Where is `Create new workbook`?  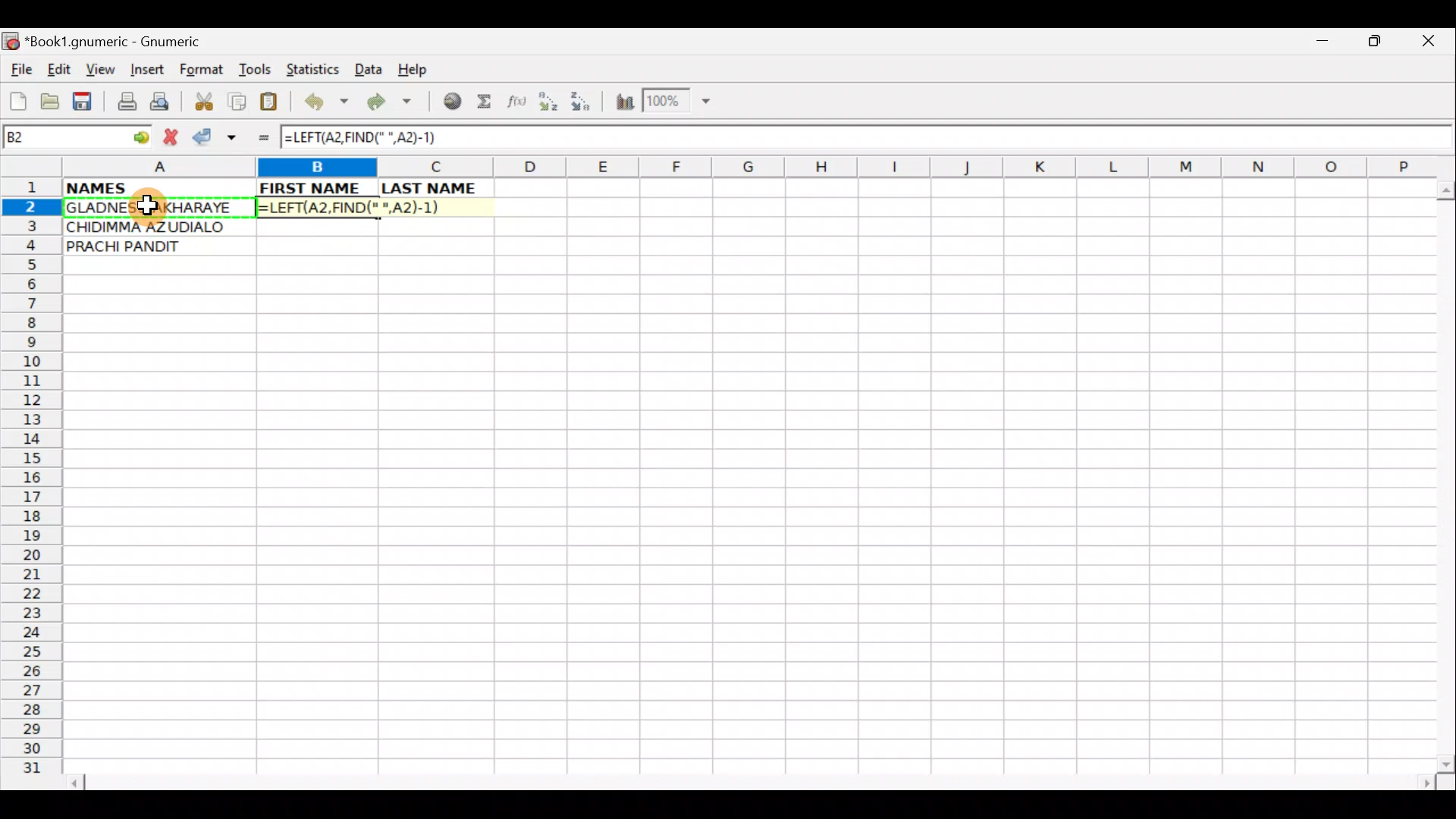
Create new workbook is located at coordinates (17, 99).